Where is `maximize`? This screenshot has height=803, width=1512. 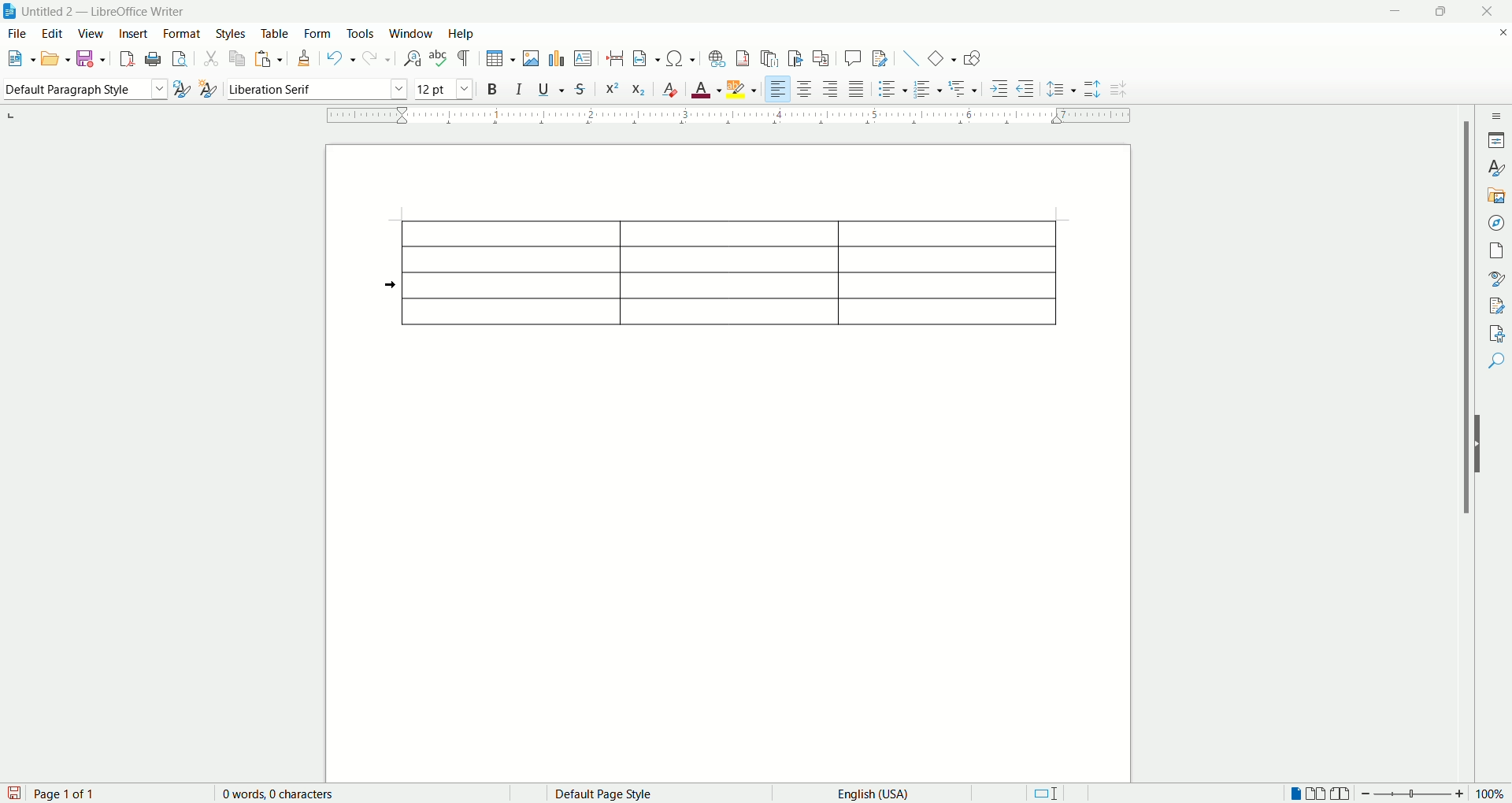
maximize is located at coordinates (1437, 14).